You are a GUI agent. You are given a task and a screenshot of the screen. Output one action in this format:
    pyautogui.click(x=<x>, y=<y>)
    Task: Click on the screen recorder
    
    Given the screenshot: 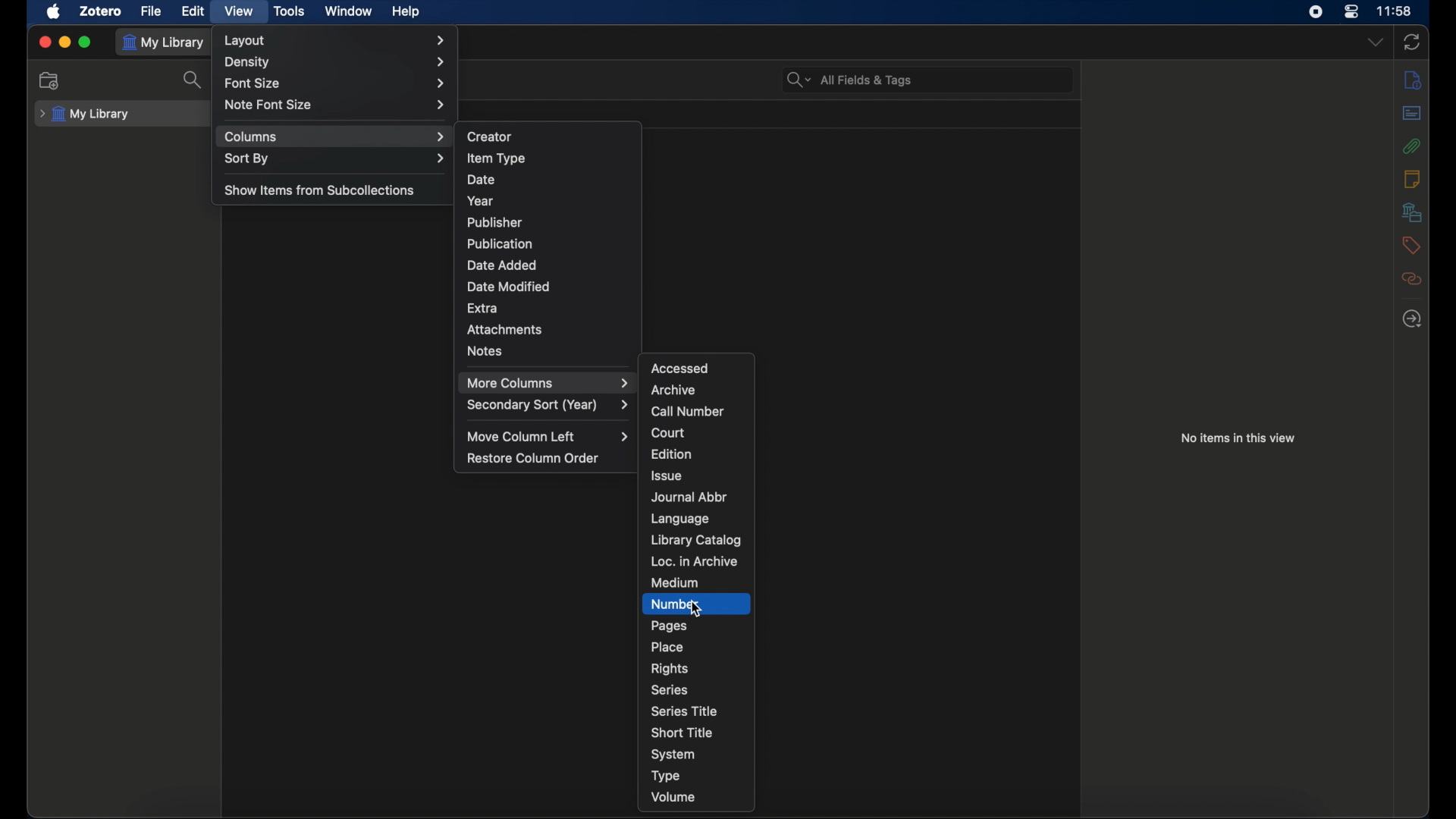 What is the action you would take?
    pyautogui.click(x=1316, y=11)
    